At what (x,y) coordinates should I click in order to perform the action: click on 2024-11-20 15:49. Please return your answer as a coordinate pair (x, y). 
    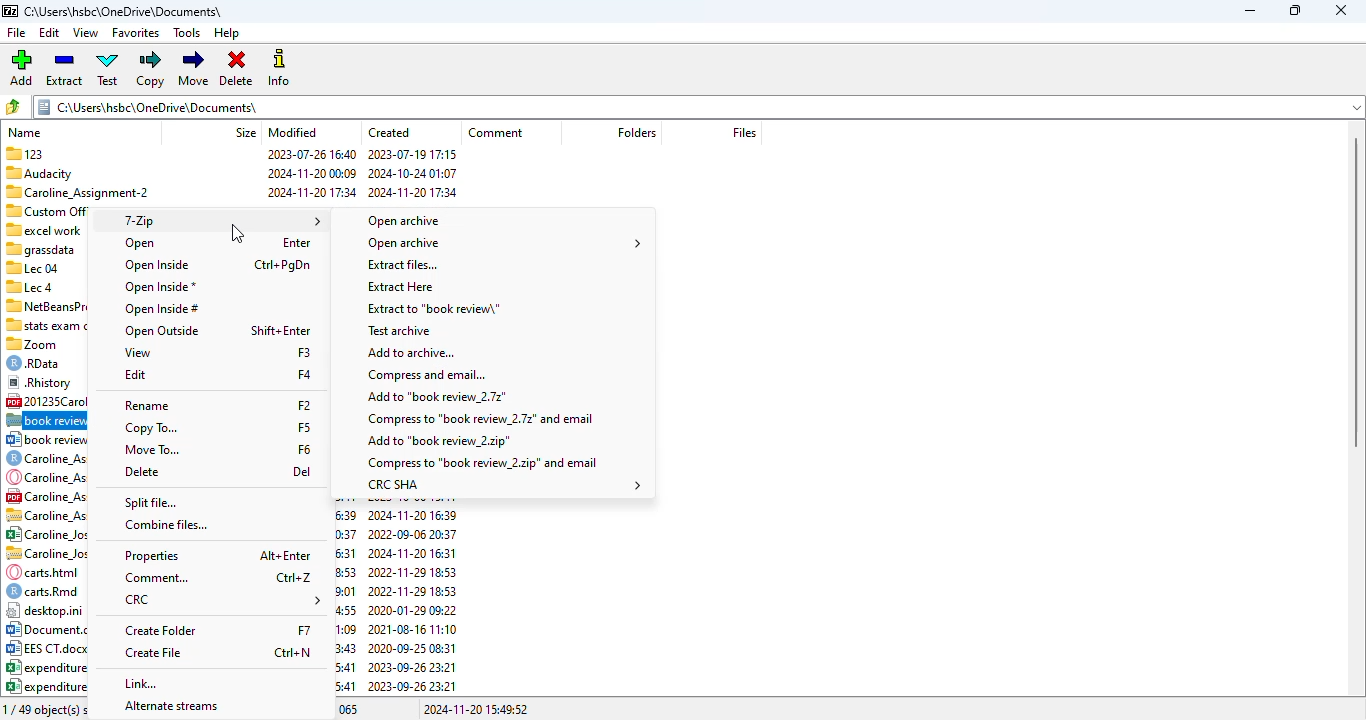
    Looking at the image, I should click on (474, 709).